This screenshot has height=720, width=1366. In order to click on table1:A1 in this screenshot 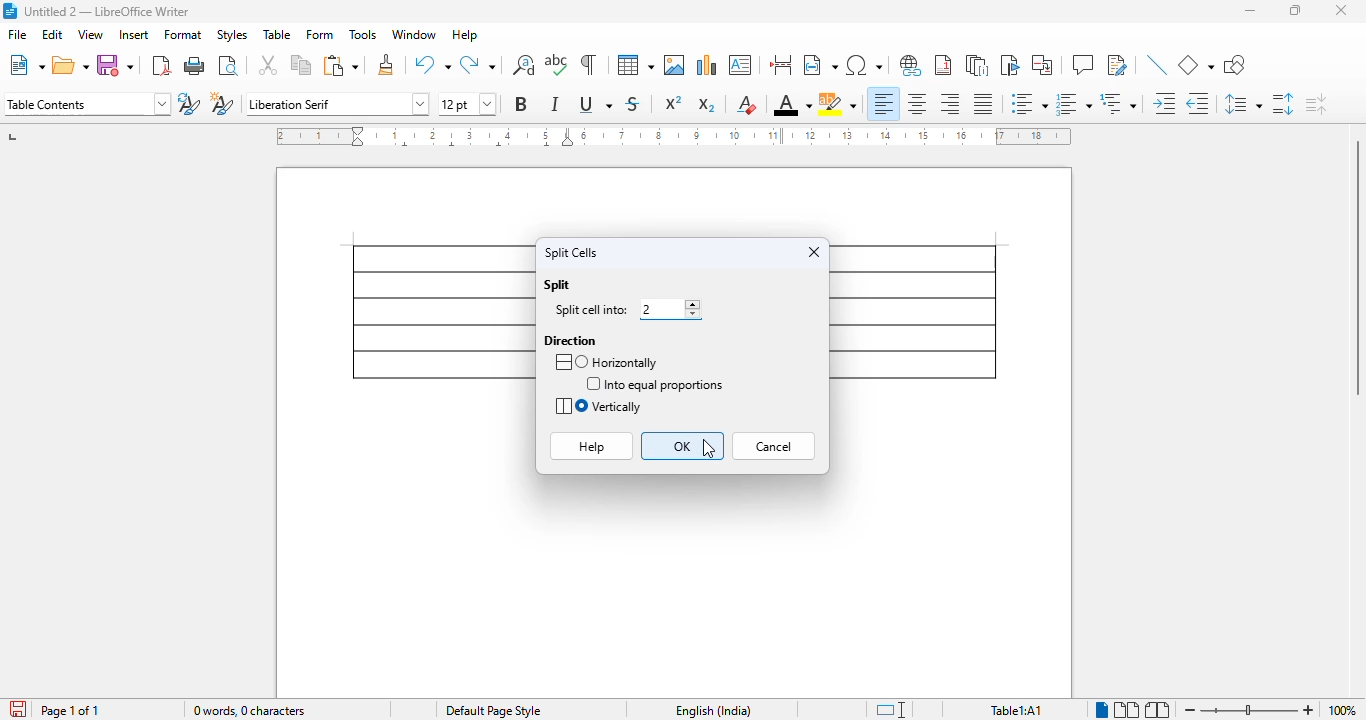, I will do `click(1016, 709)`.